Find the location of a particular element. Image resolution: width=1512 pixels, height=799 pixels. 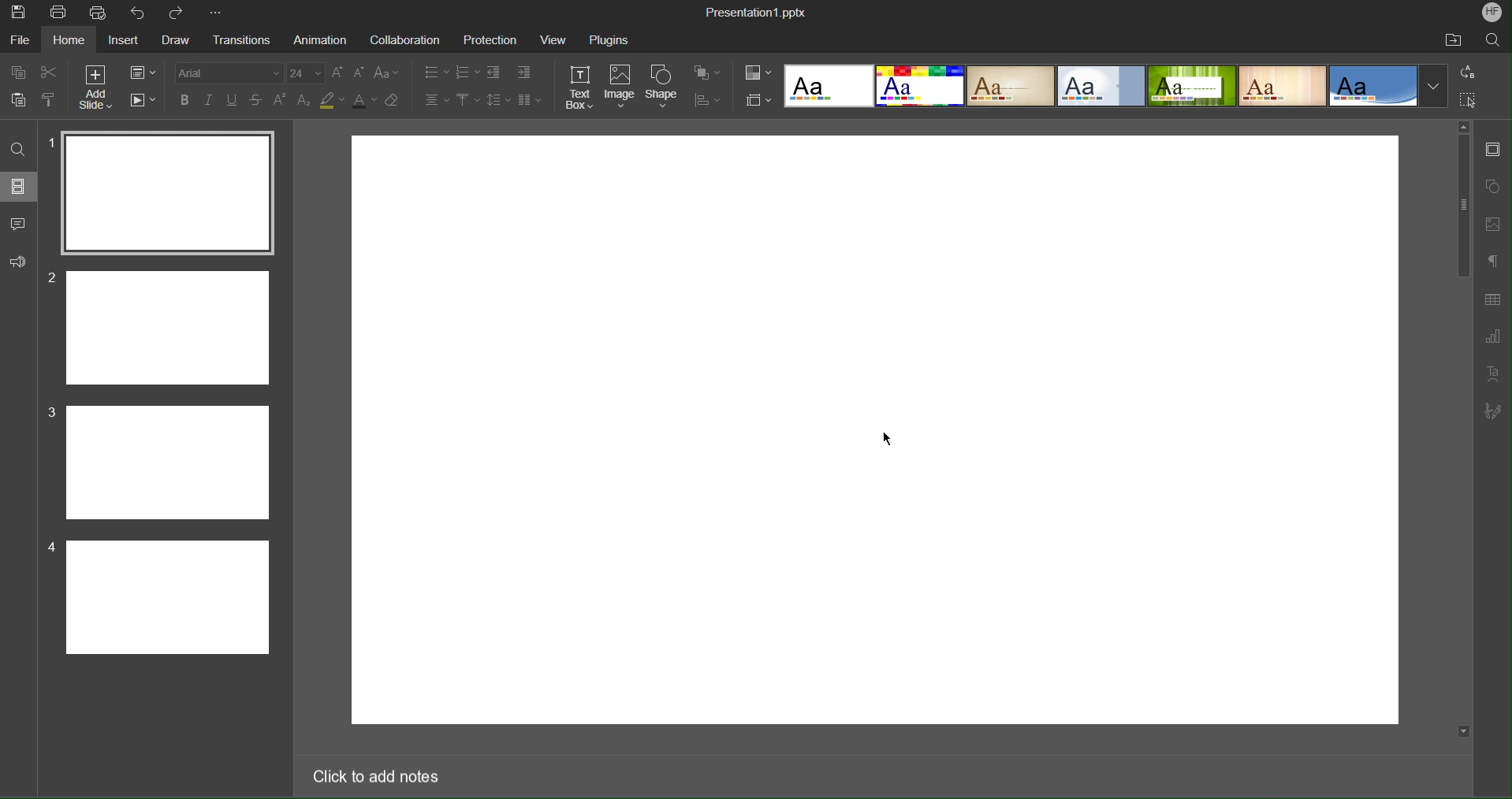

File  is located at coordinates (22, 40).